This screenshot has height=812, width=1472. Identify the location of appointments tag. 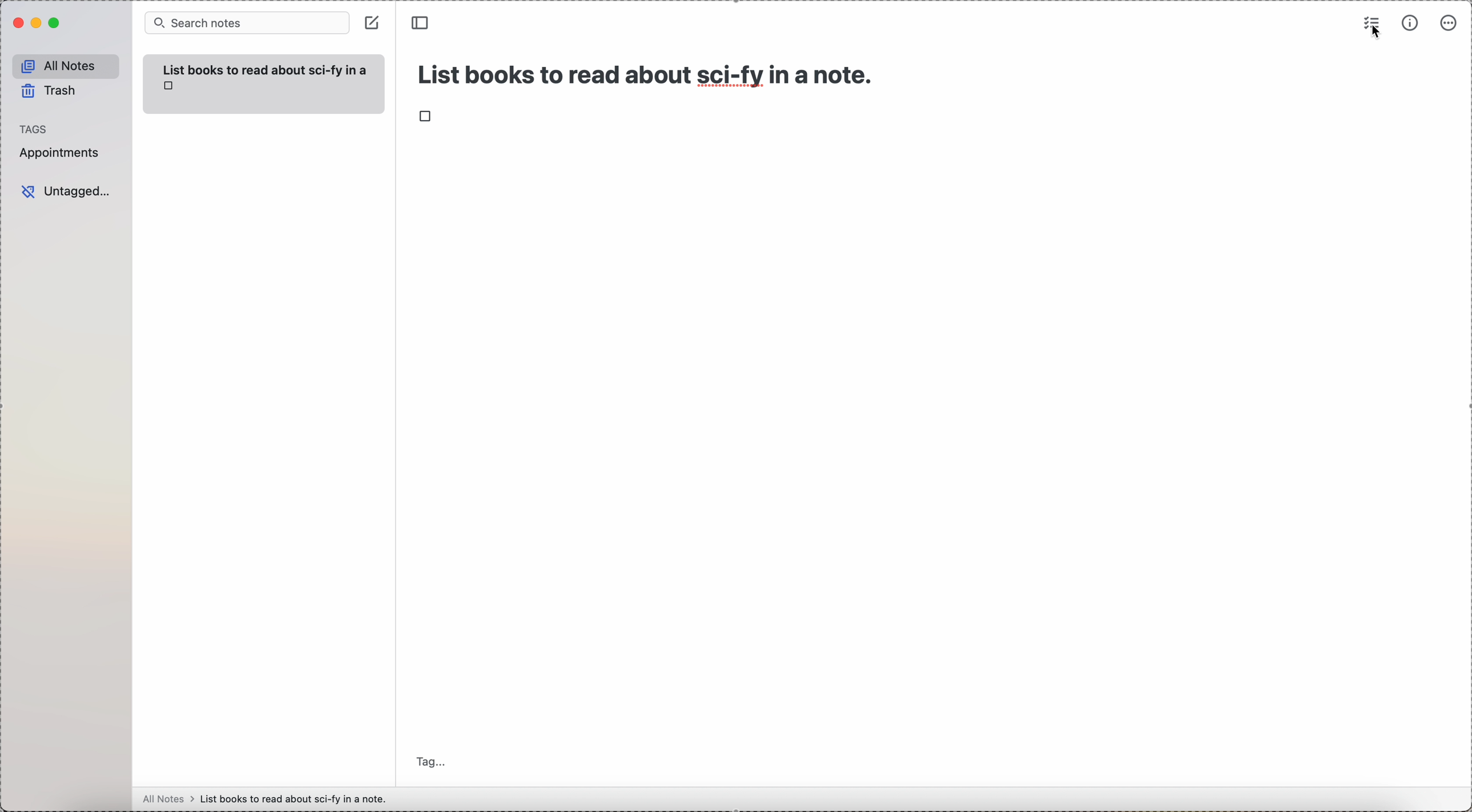
(60, 154).